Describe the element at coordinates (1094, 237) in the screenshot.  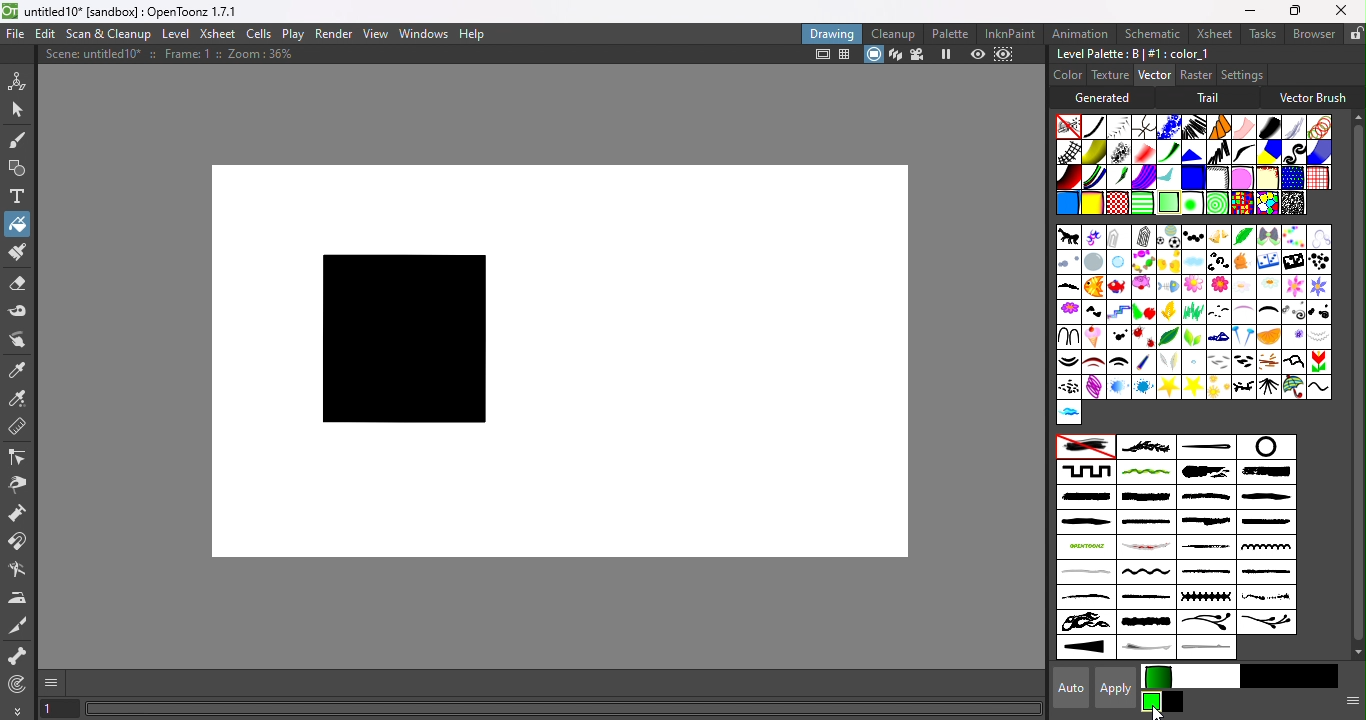
I see `Arc` at that location.